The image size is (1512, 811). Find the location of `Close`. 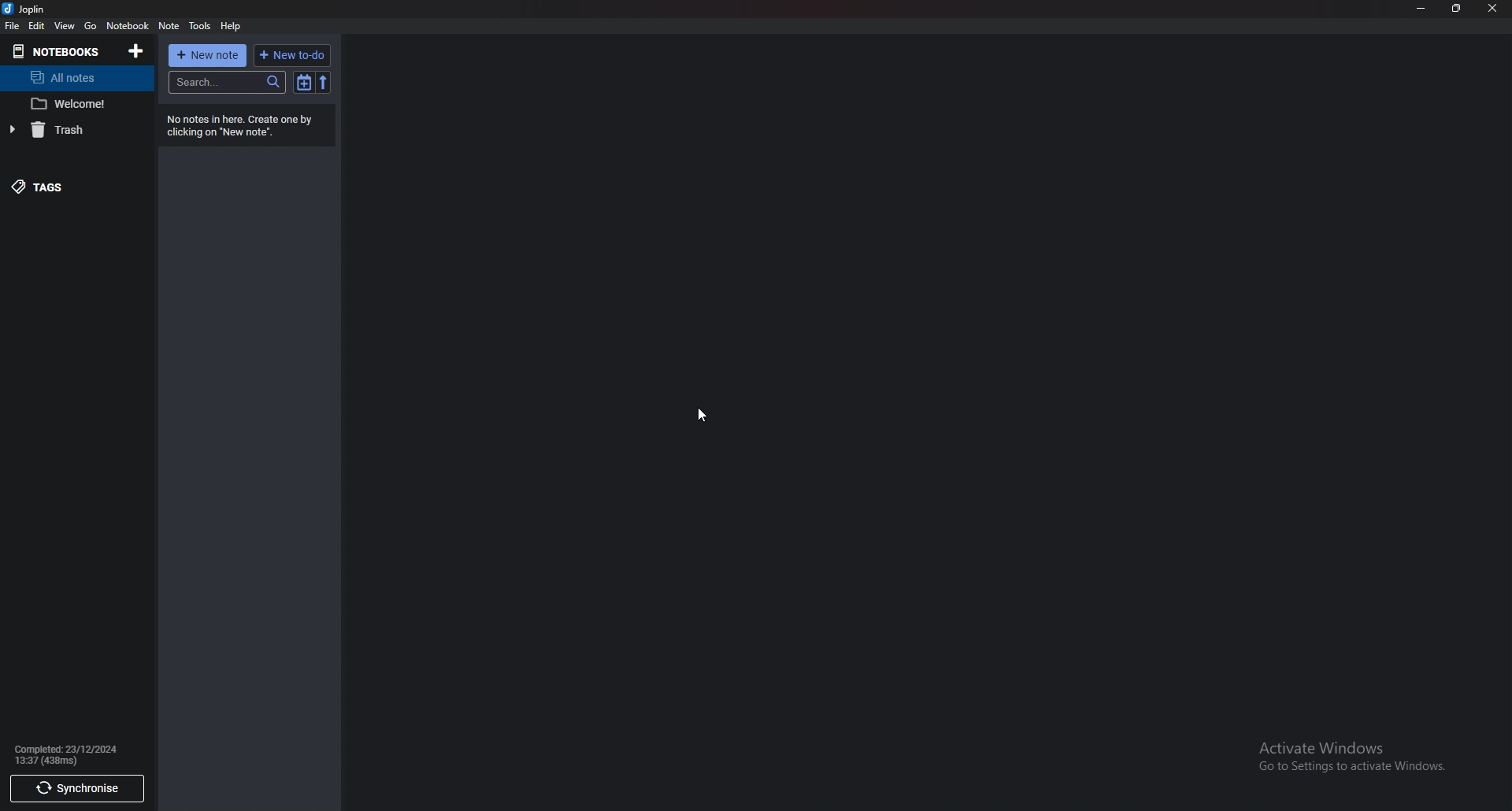

Close is located at coordinates (1492, 8).